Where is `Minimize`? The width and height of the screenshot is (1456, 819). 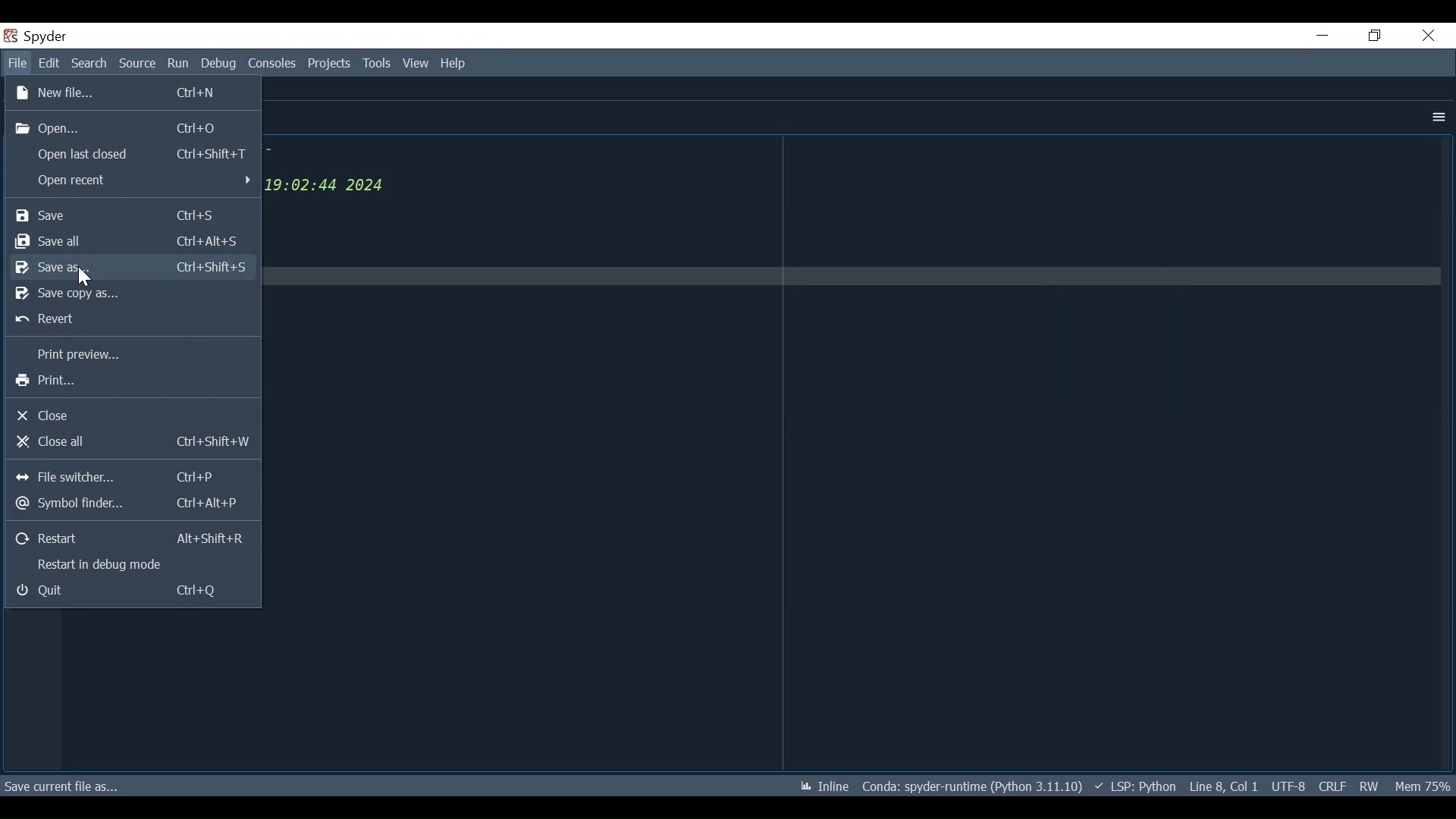 Minimize is located at coordinates (1321, 35).